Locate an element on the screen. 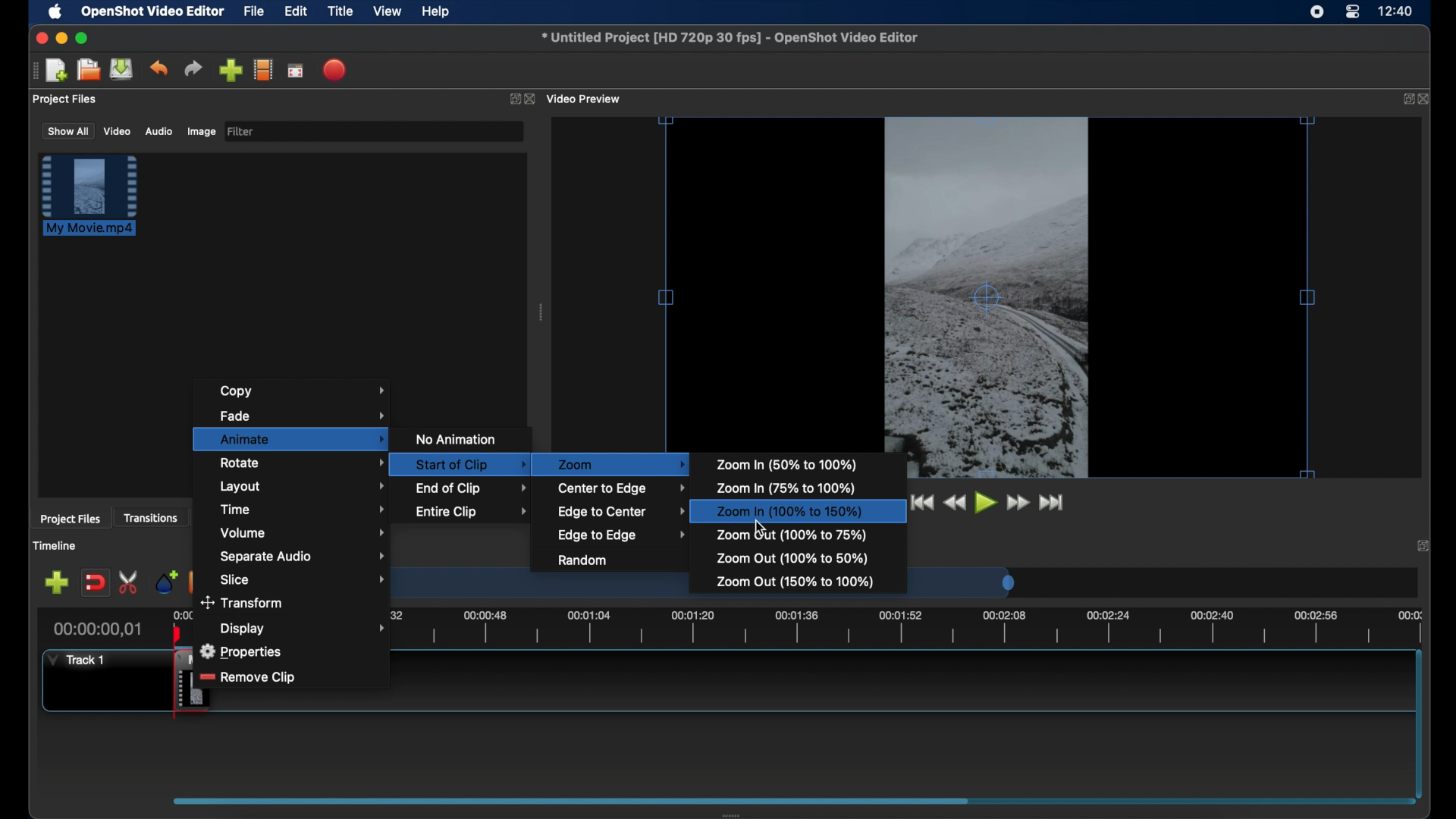 The width and height of the screenshot is (1456, 819). time menu is located at coordinates (303, 509).